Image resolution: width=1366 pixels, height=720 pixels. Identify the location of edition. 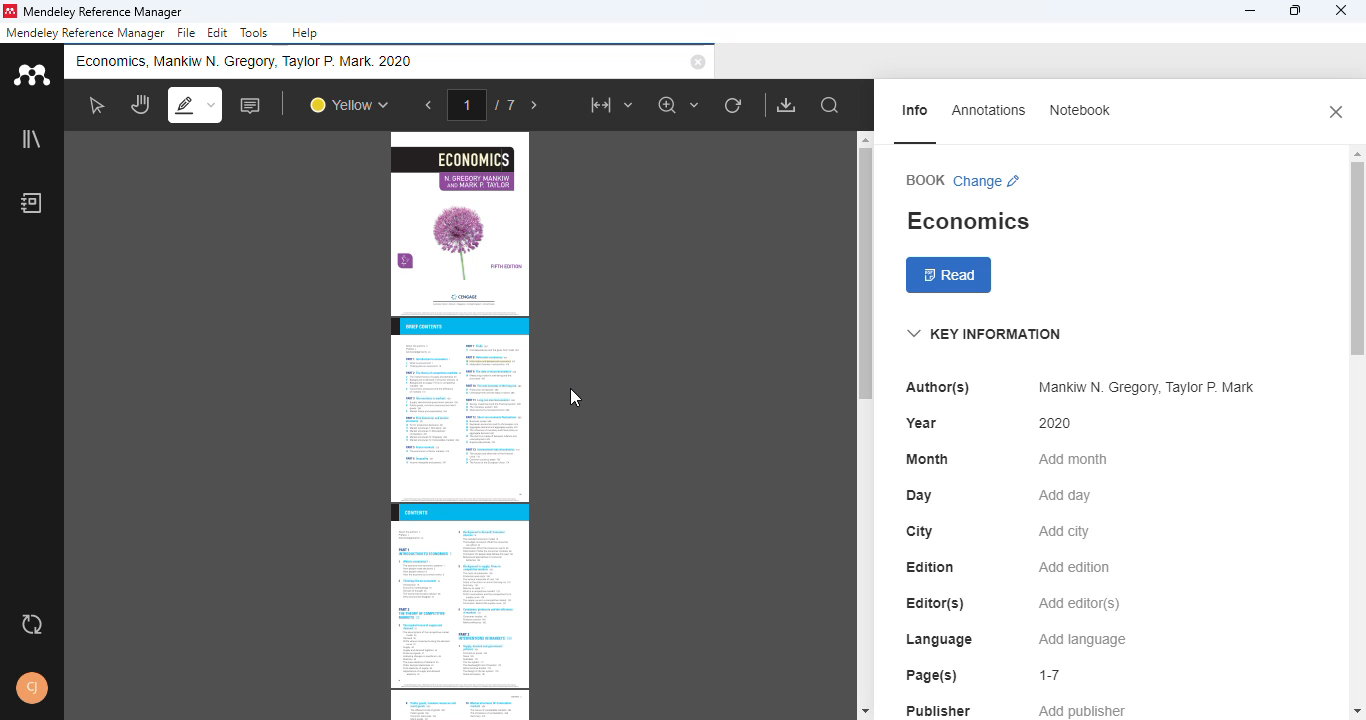
(931, 567).